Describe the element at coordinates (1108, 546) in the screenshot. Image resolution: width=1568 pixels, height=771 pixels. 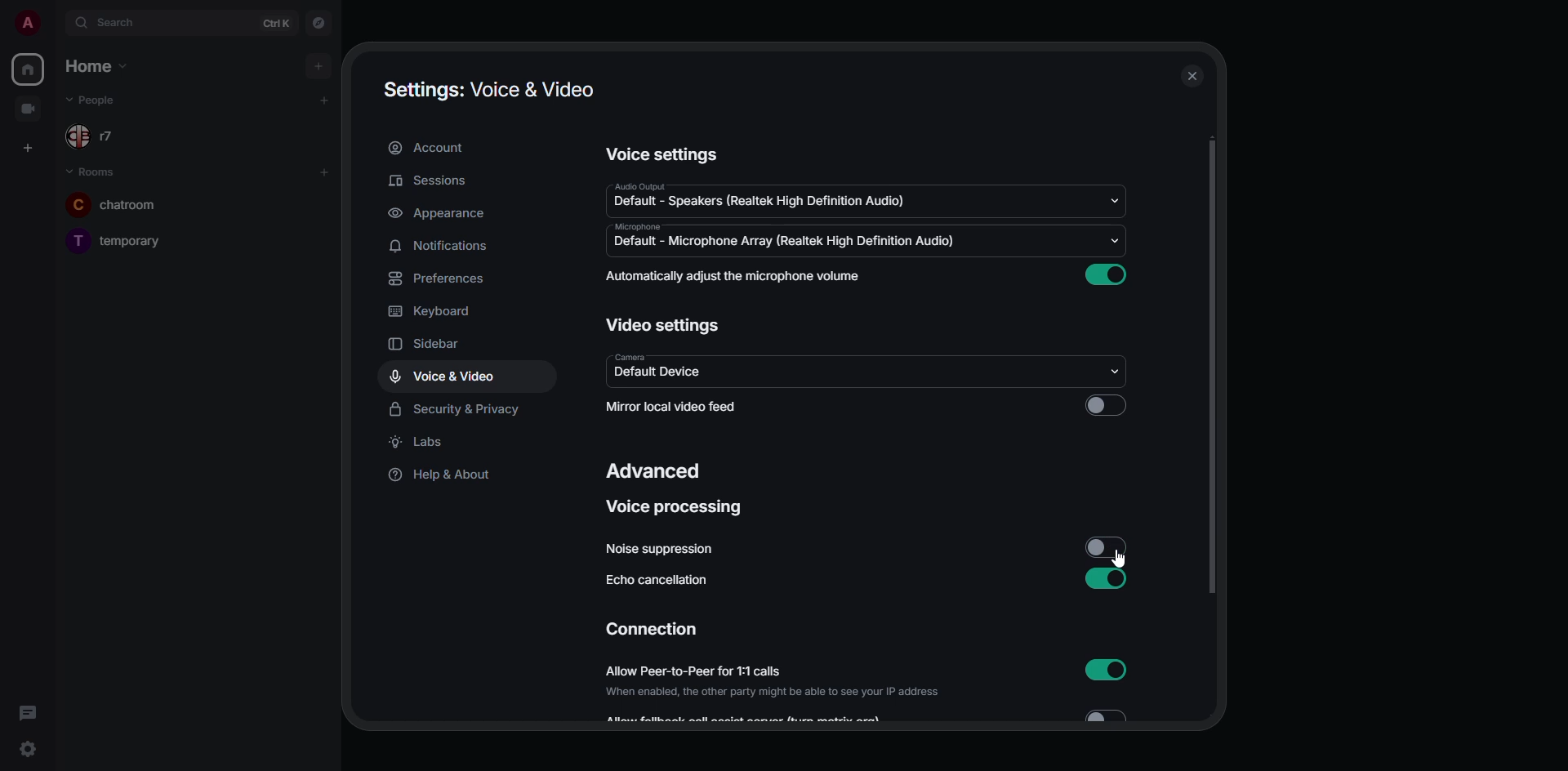
I see `disabled` at that location.